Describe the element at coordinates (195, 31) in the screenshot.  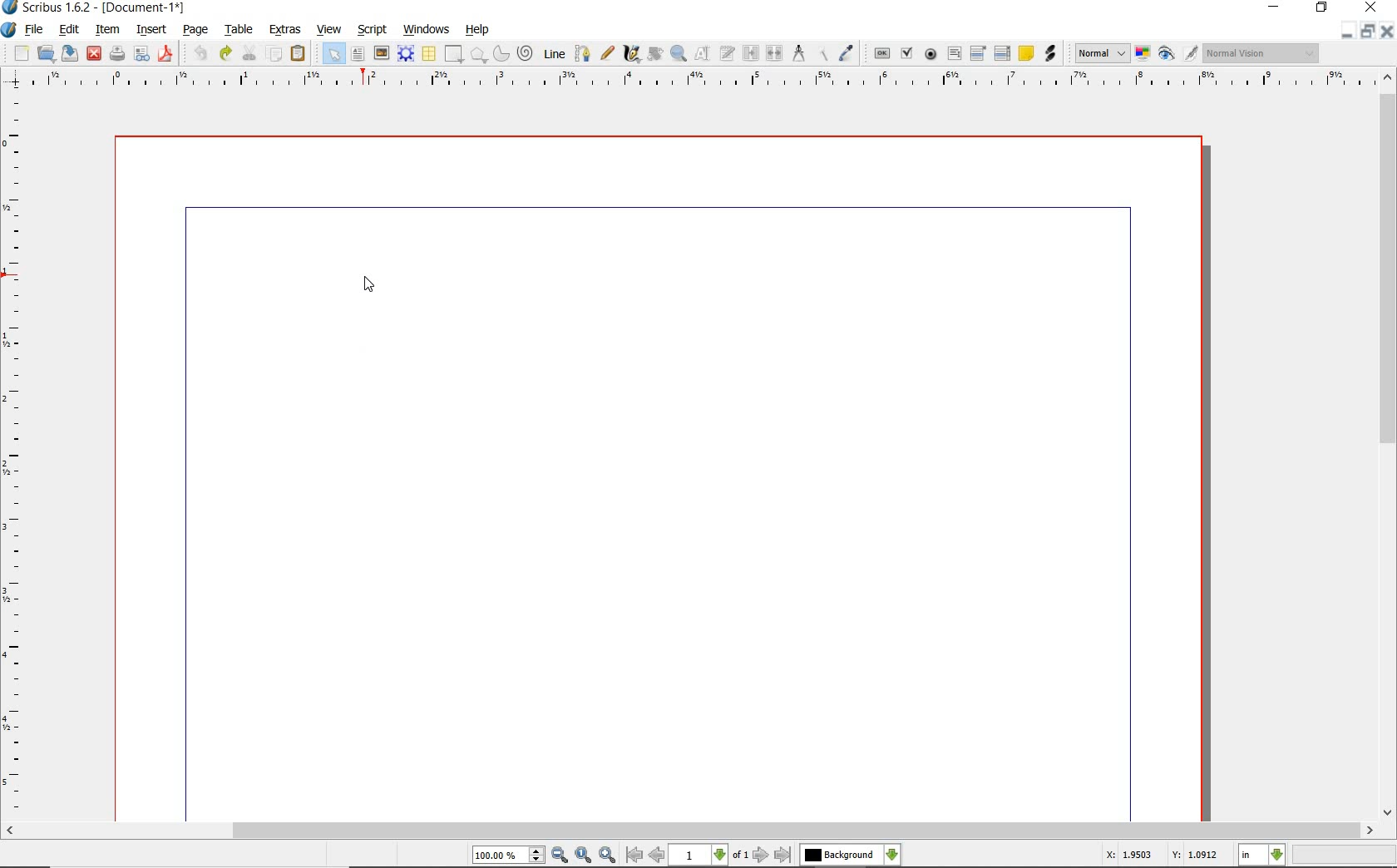
I see `page` at that location.